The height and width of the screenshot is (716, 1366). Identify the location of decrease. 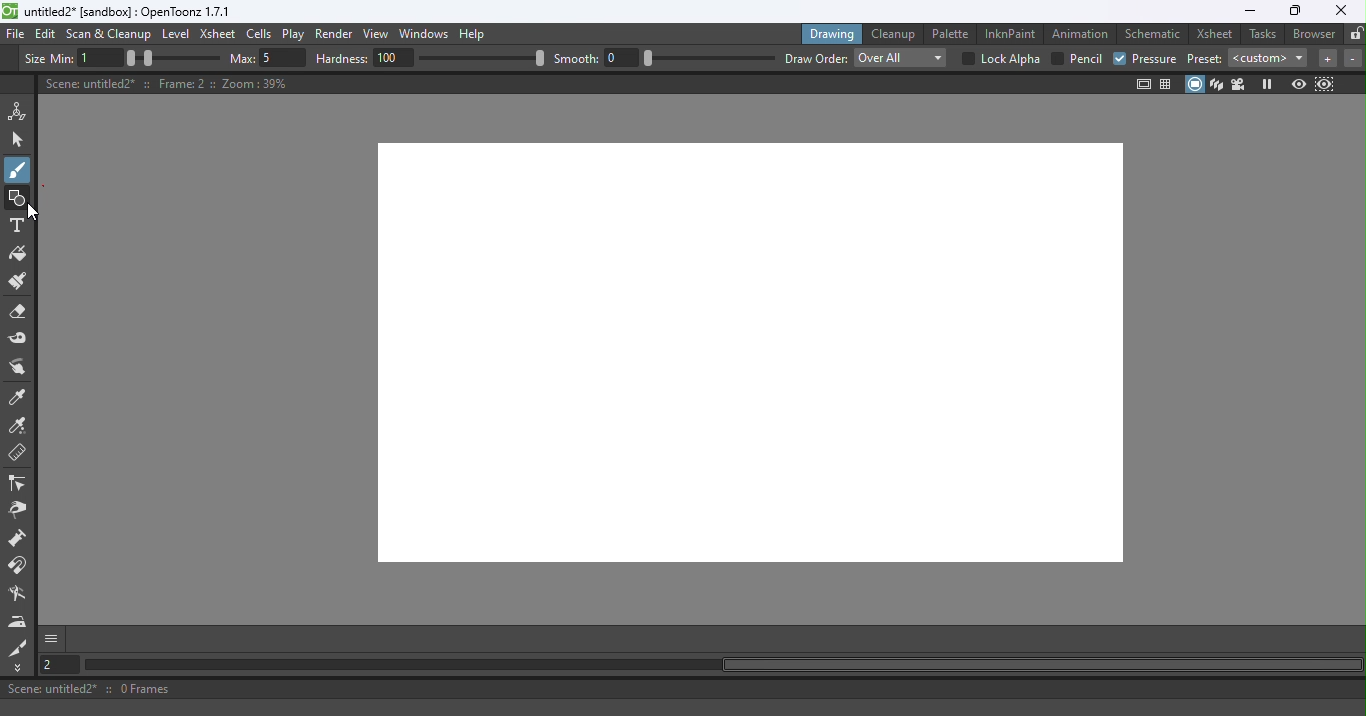
(1353, 59).